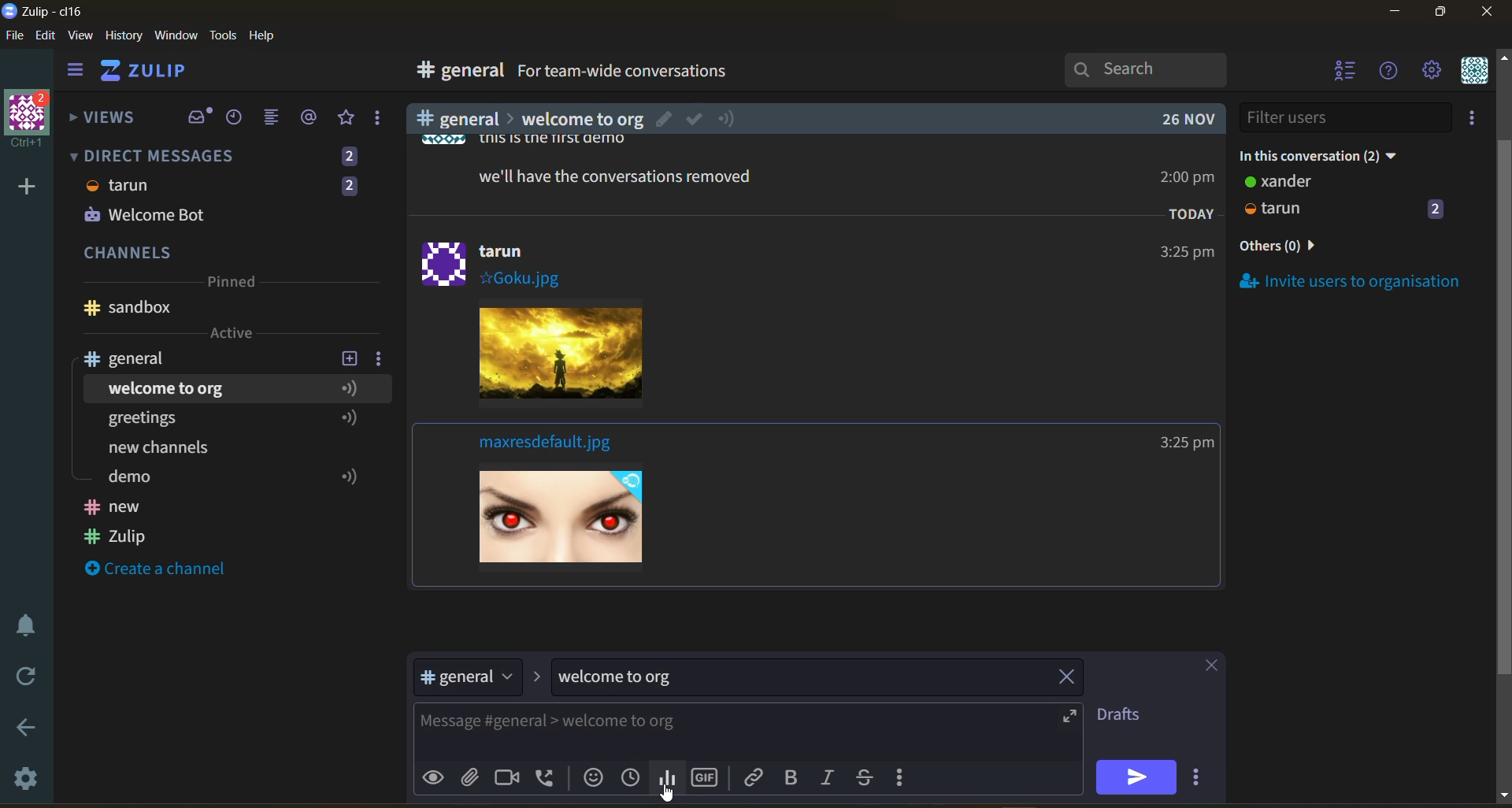 This screenshot has height=808, width=1512. What do you see at coordinates (1068, 715) in the screenshot?
I see `expand compose box` at bounding box center [1068, 715].